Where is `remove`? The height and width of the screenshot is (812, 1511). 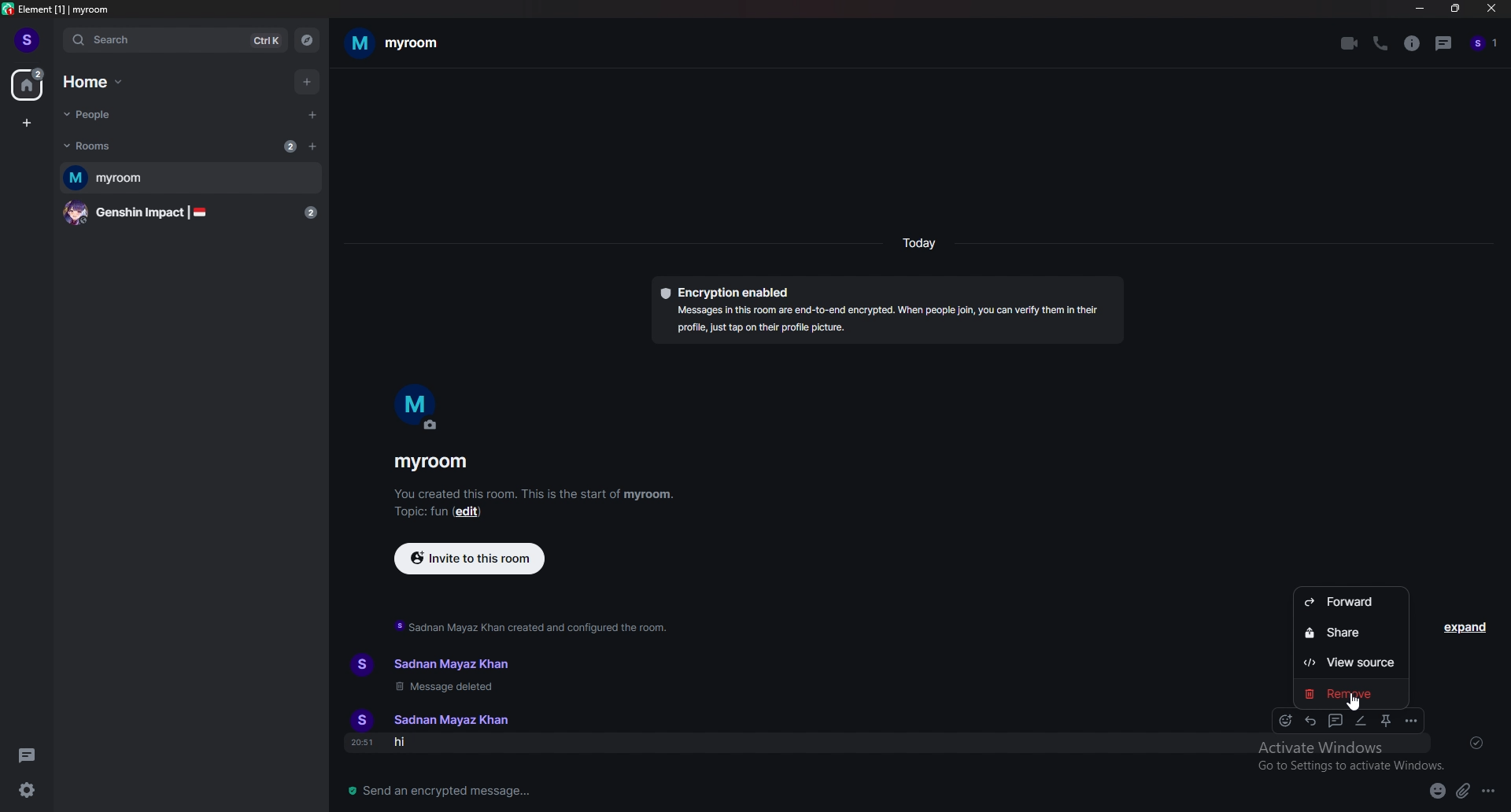
remove is located at coordinates (1347, 691).